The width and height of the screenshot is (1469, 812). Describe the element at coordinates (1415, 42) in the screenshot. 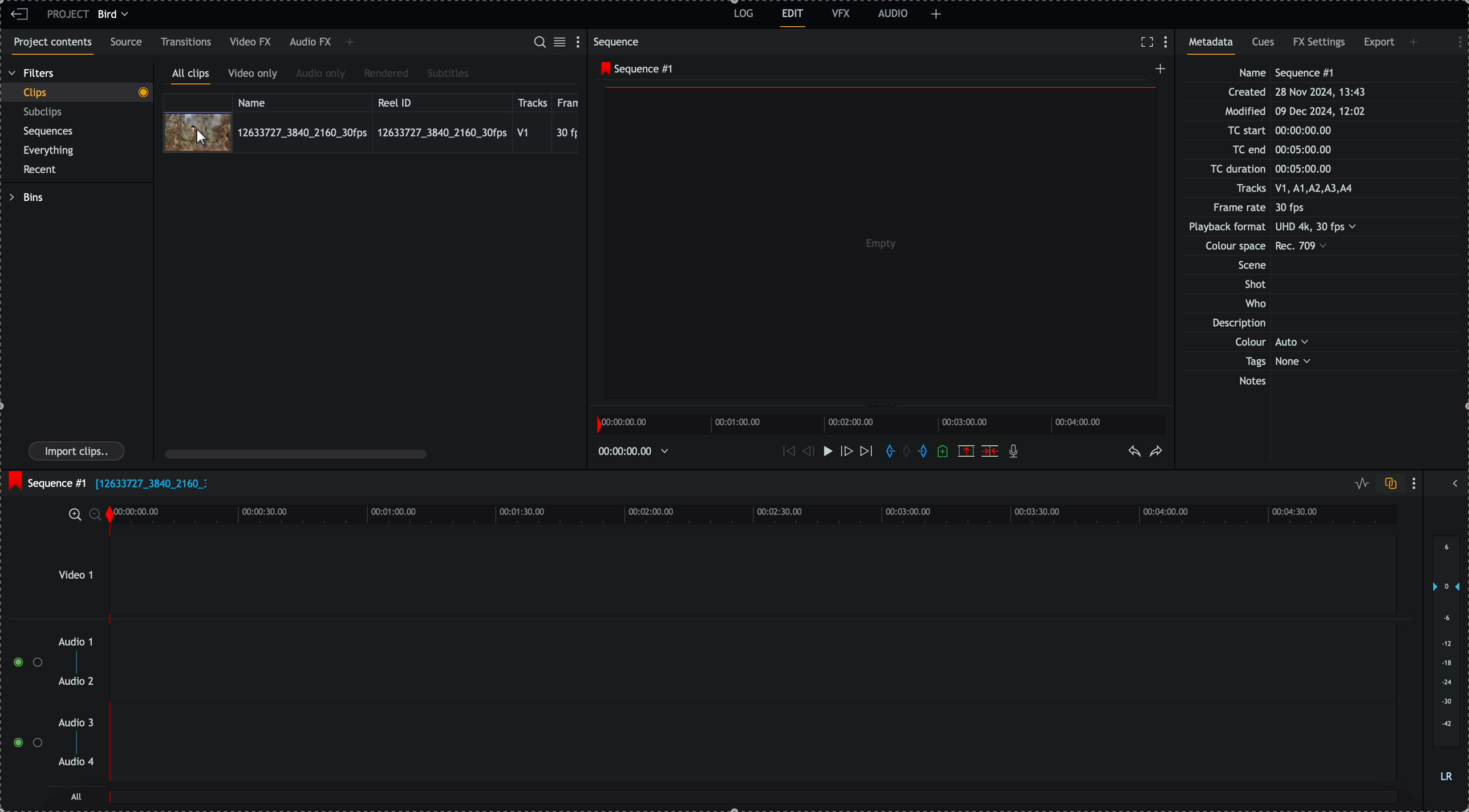

I see `add panel` at that location.